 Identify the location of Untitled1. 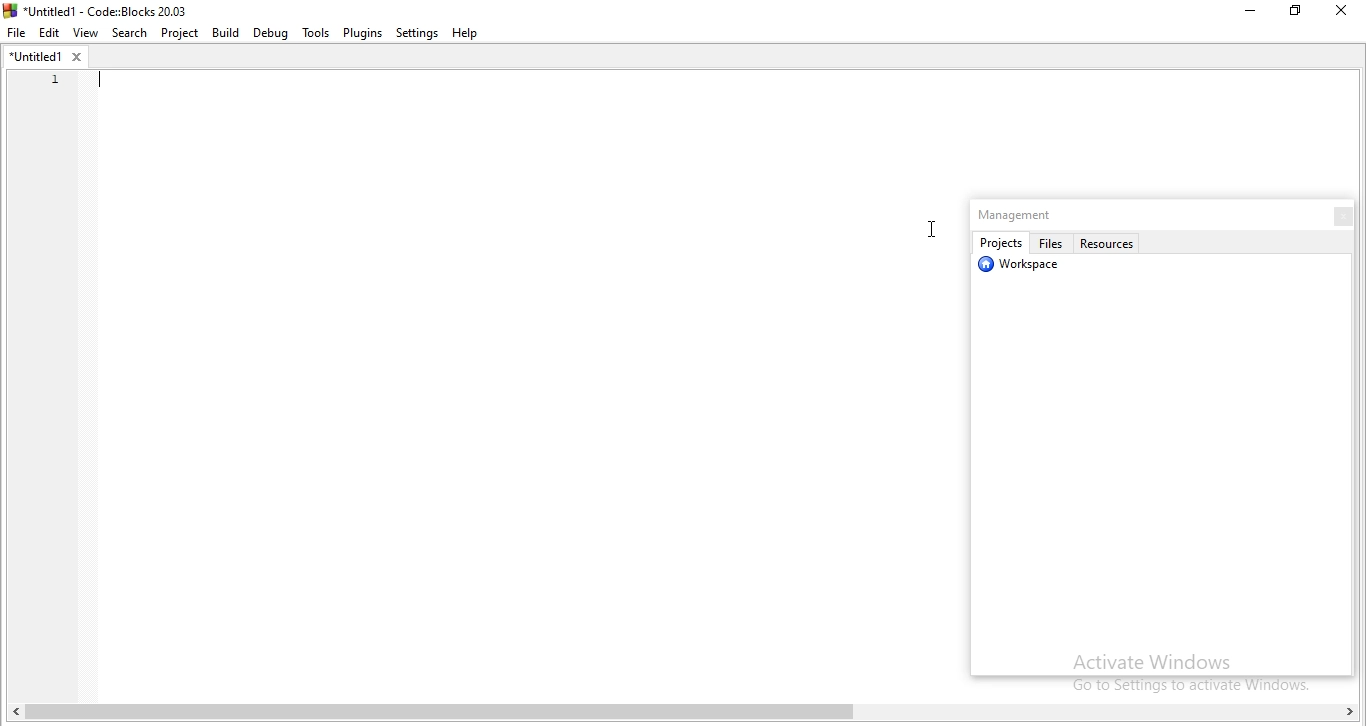
(44, 56).